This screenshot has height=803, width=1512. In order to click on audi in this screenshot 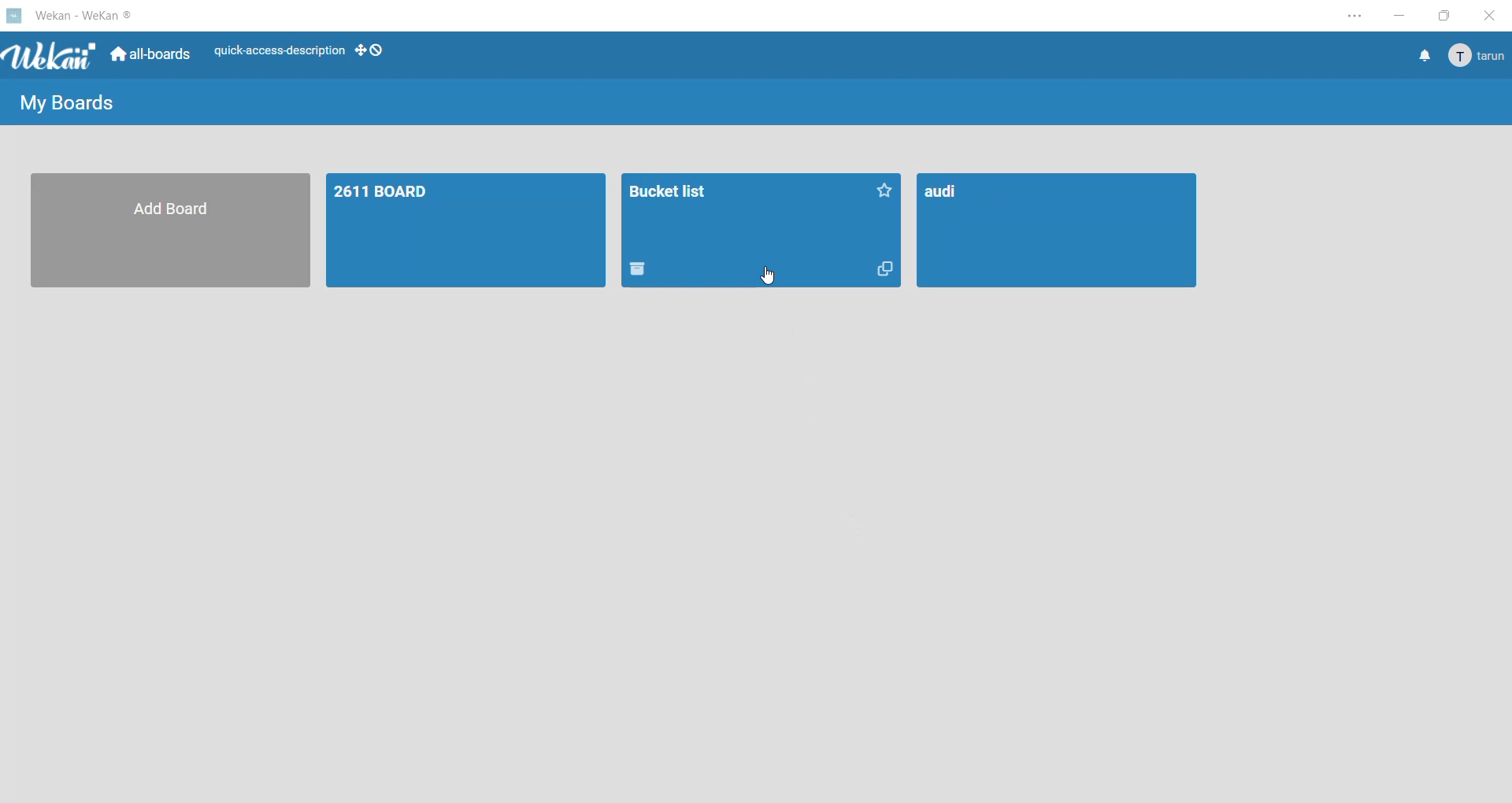, I will do `click(1058, 231)`.